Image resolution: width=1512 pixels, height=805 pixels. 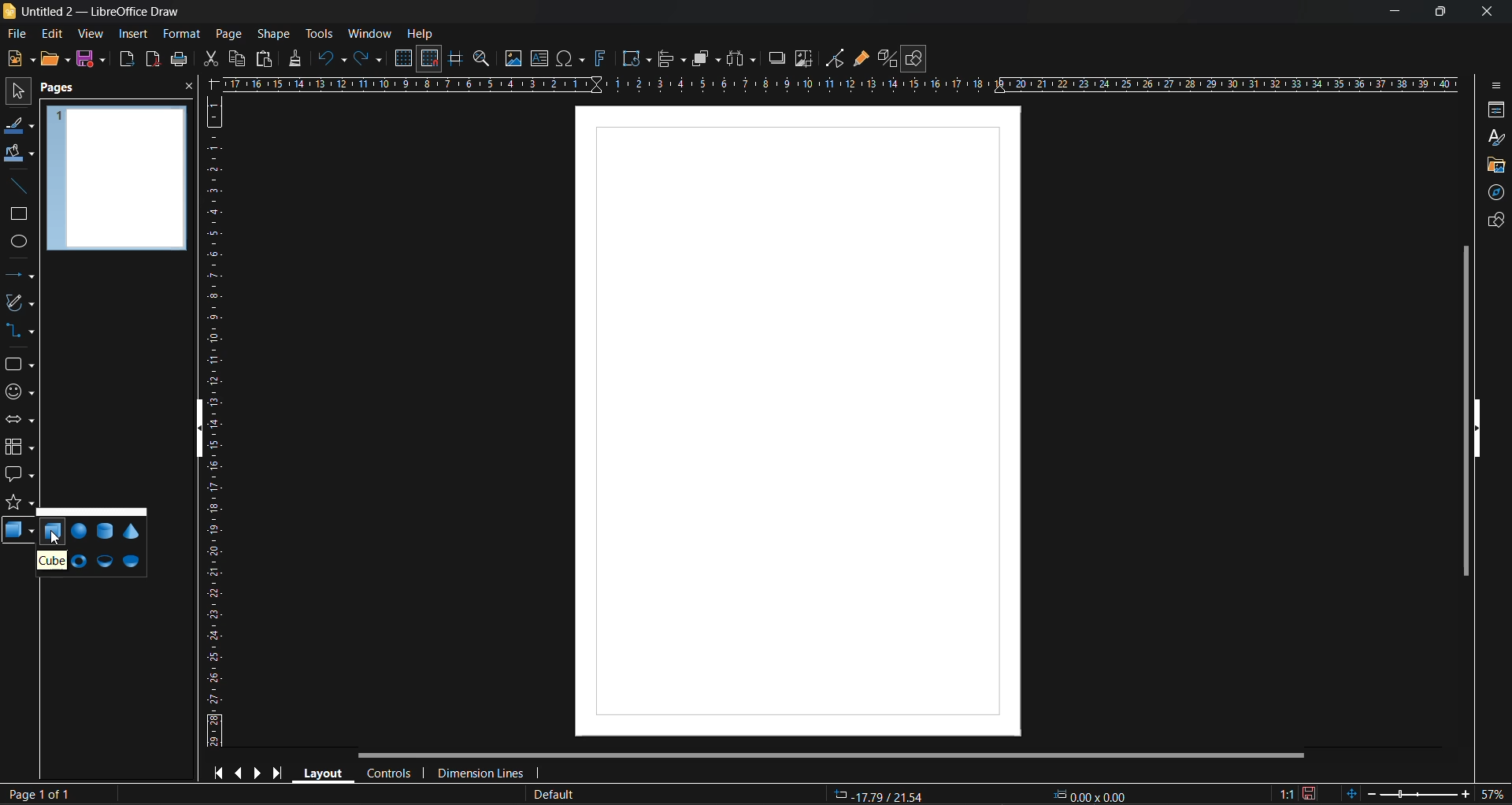 I want to click on shell, so click(x=104, y=563).